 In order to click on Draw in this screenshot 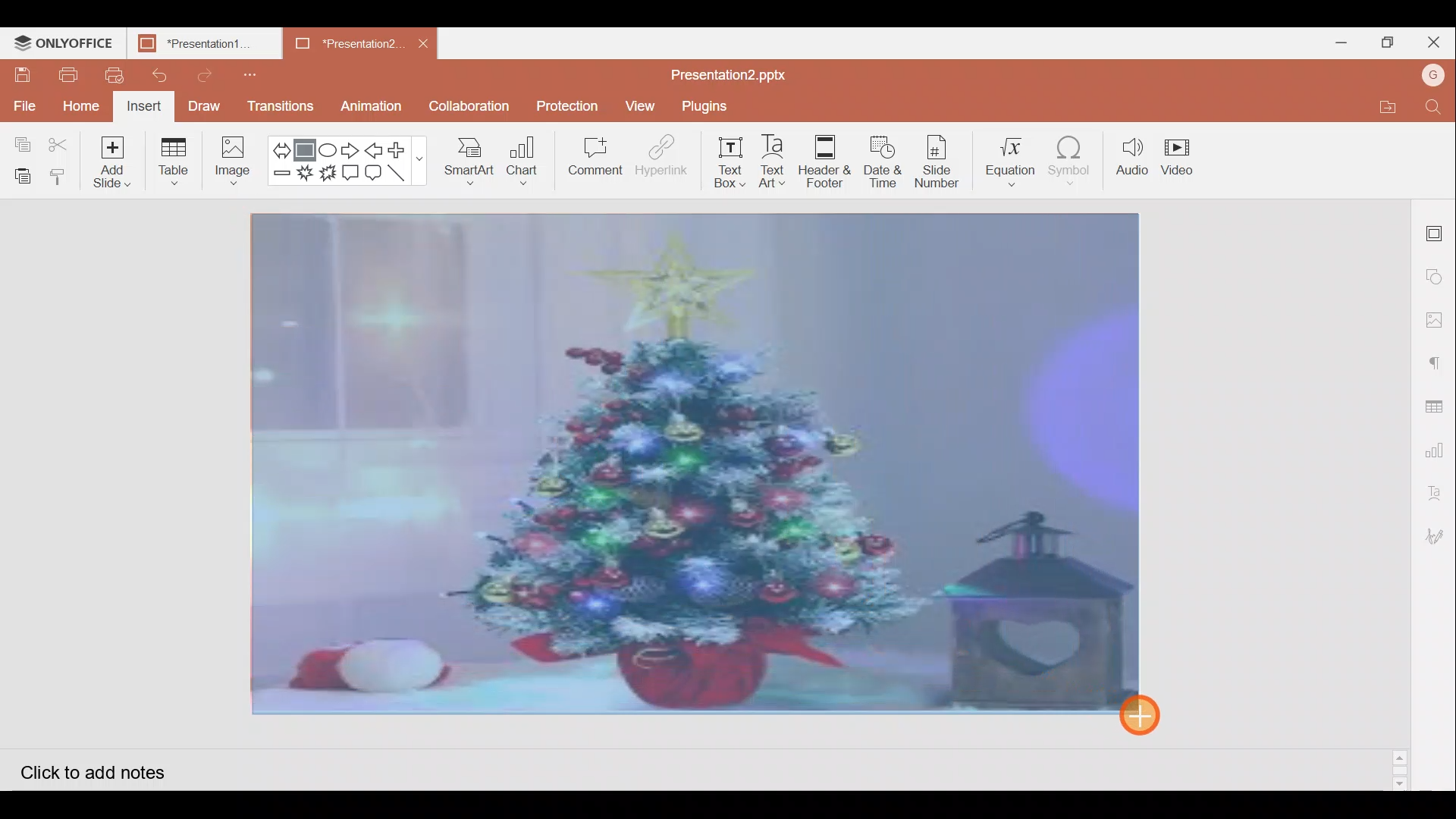, I will do `click(205, 108)`.